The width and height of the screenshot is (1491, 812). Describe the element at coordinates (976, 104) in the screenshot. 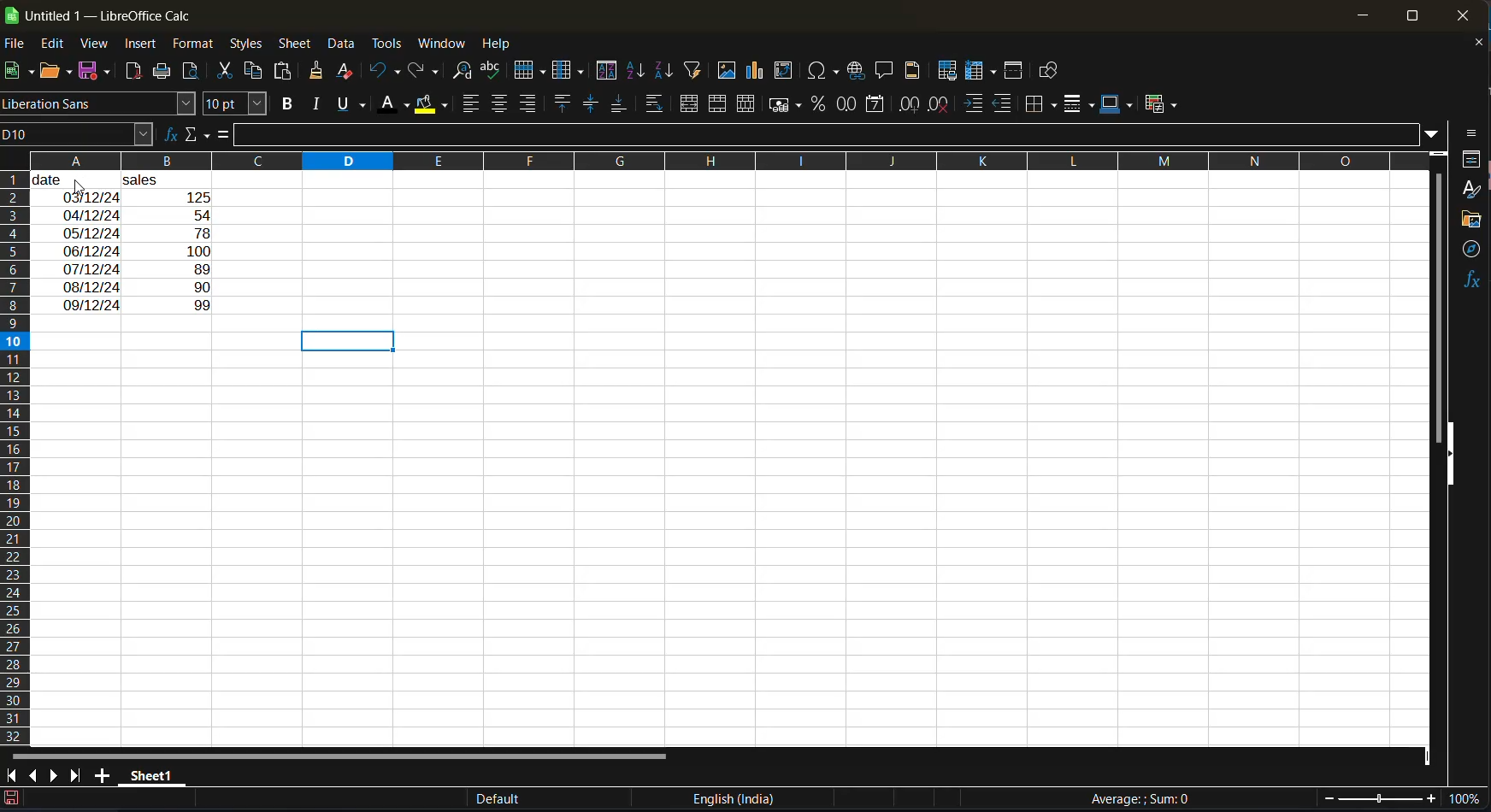

I see `increase indent` at that location.